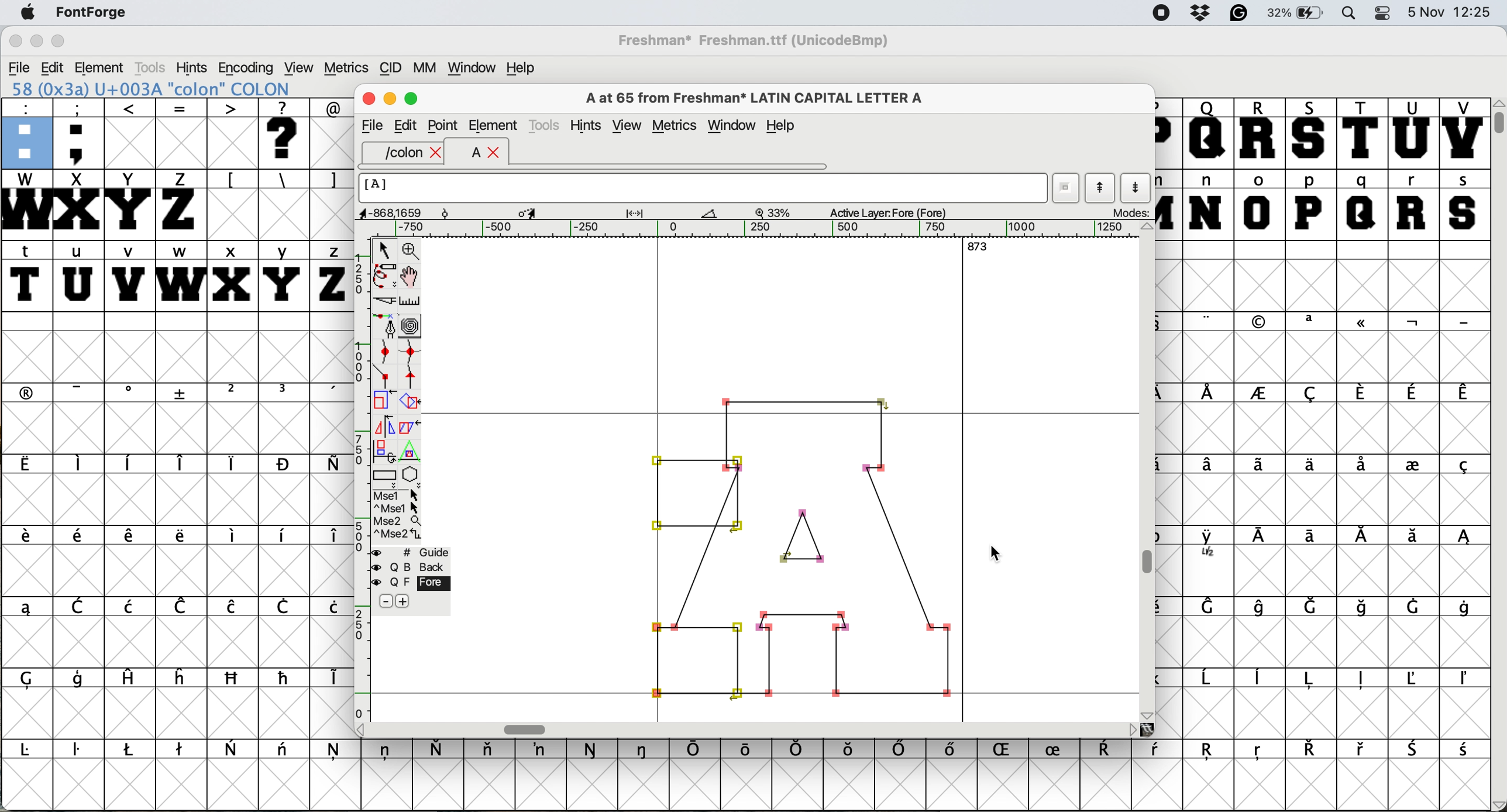 The height and width of the screenshot is (812, 1507). What do you see at coordinates (336, 753) in the screenshot?
I see `symbol` at bounding box center [336, 753].